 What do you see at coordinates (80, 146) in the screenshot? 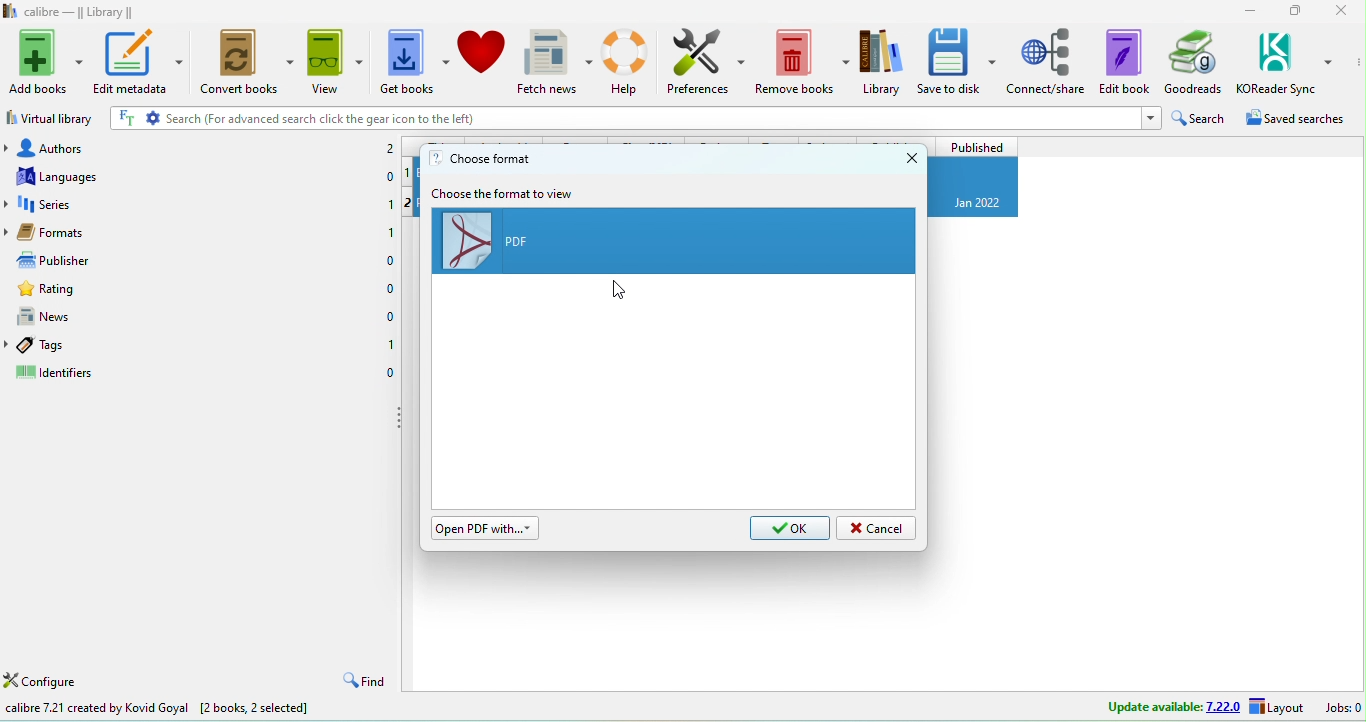
I see `authors` at bounding box center [80, 146].